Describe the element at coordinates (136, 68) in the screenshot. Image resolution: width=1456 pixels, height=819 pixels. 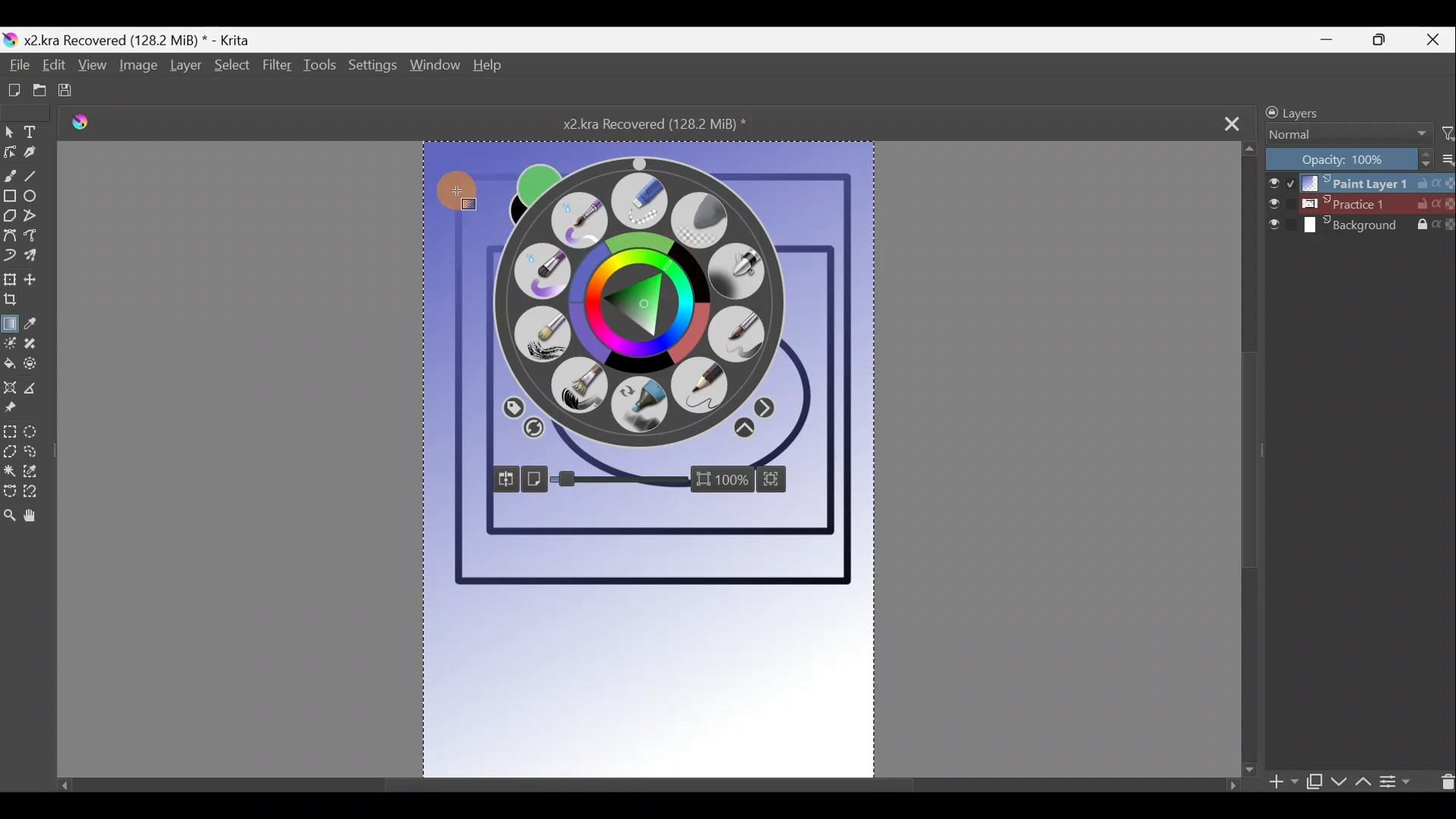
I see `Image` at that location.